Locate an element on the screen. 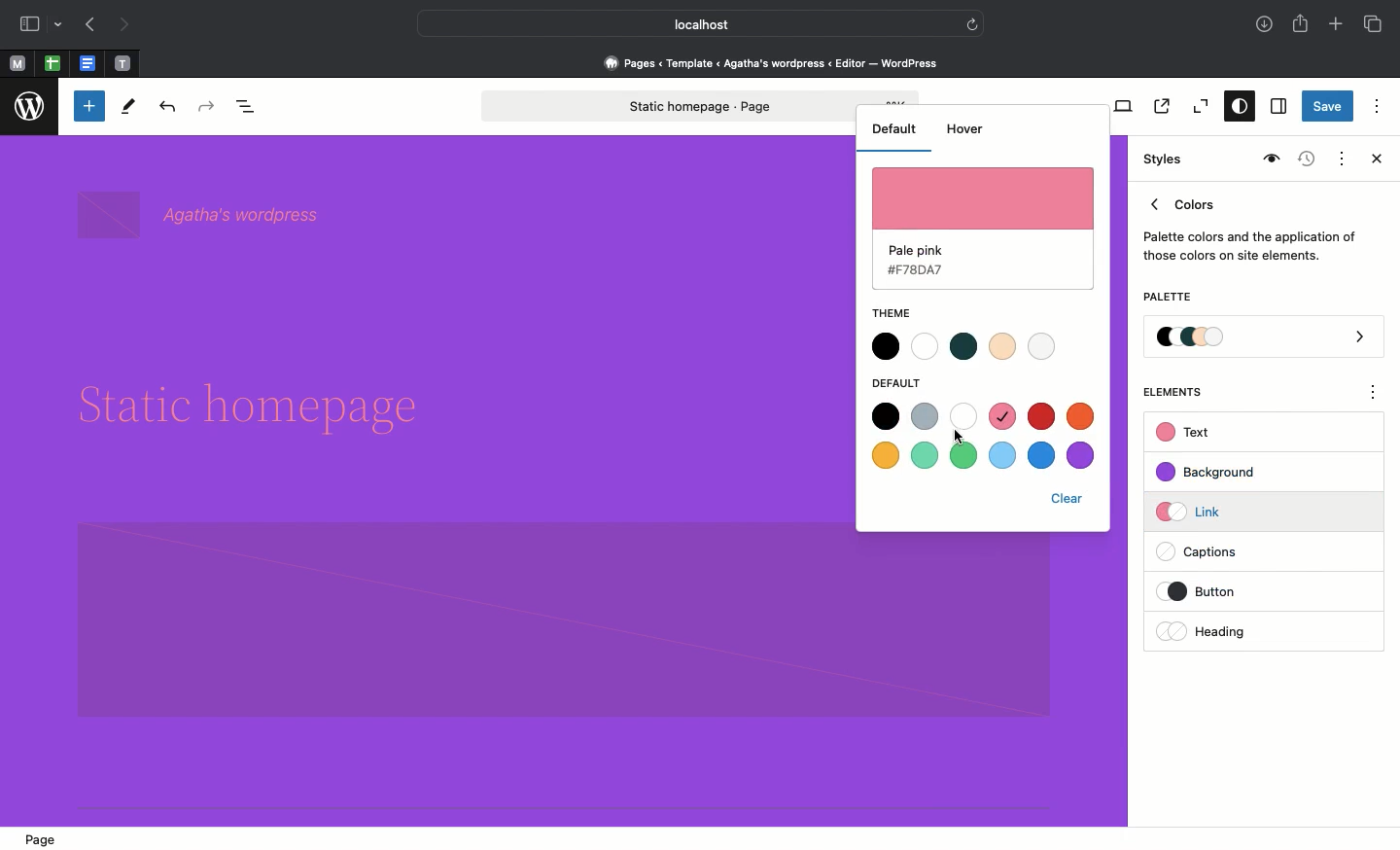 The image size is (1400, 850). Local host is located at coordinates (686, 23).